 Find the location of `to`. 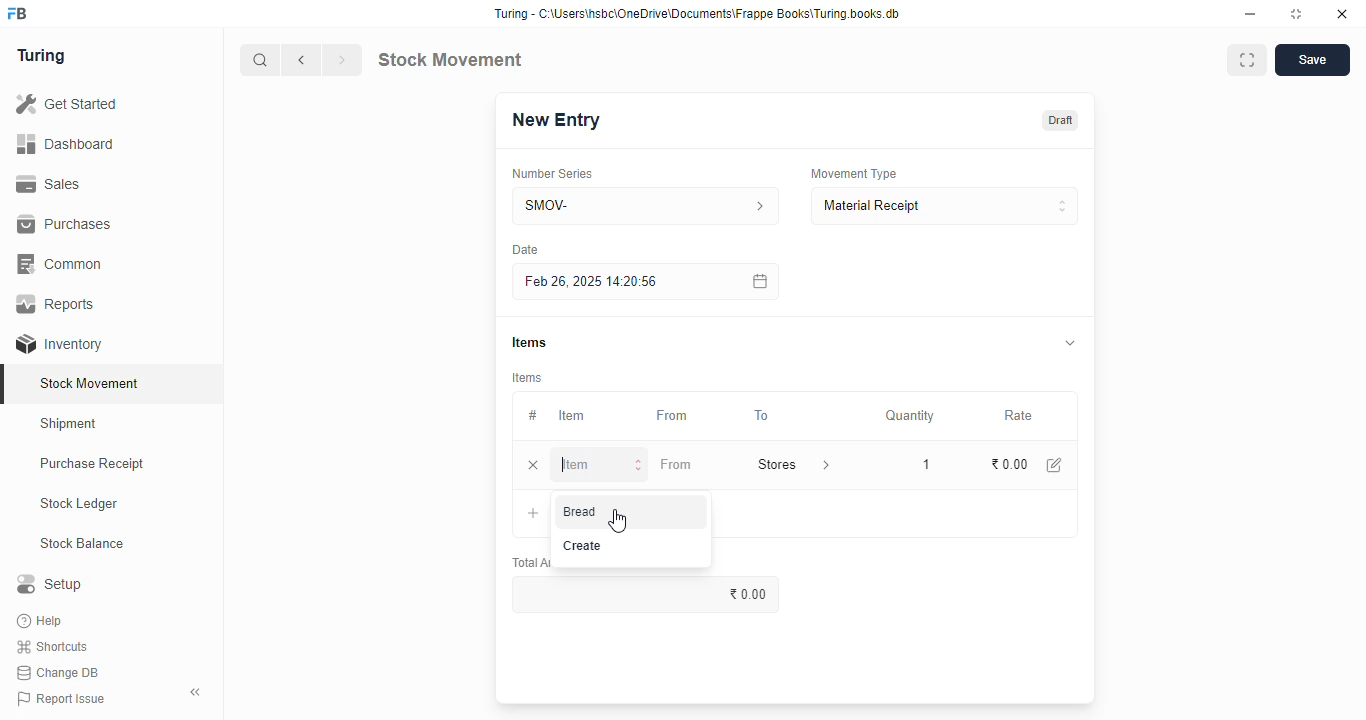

to is located at coordinates (763, 416).